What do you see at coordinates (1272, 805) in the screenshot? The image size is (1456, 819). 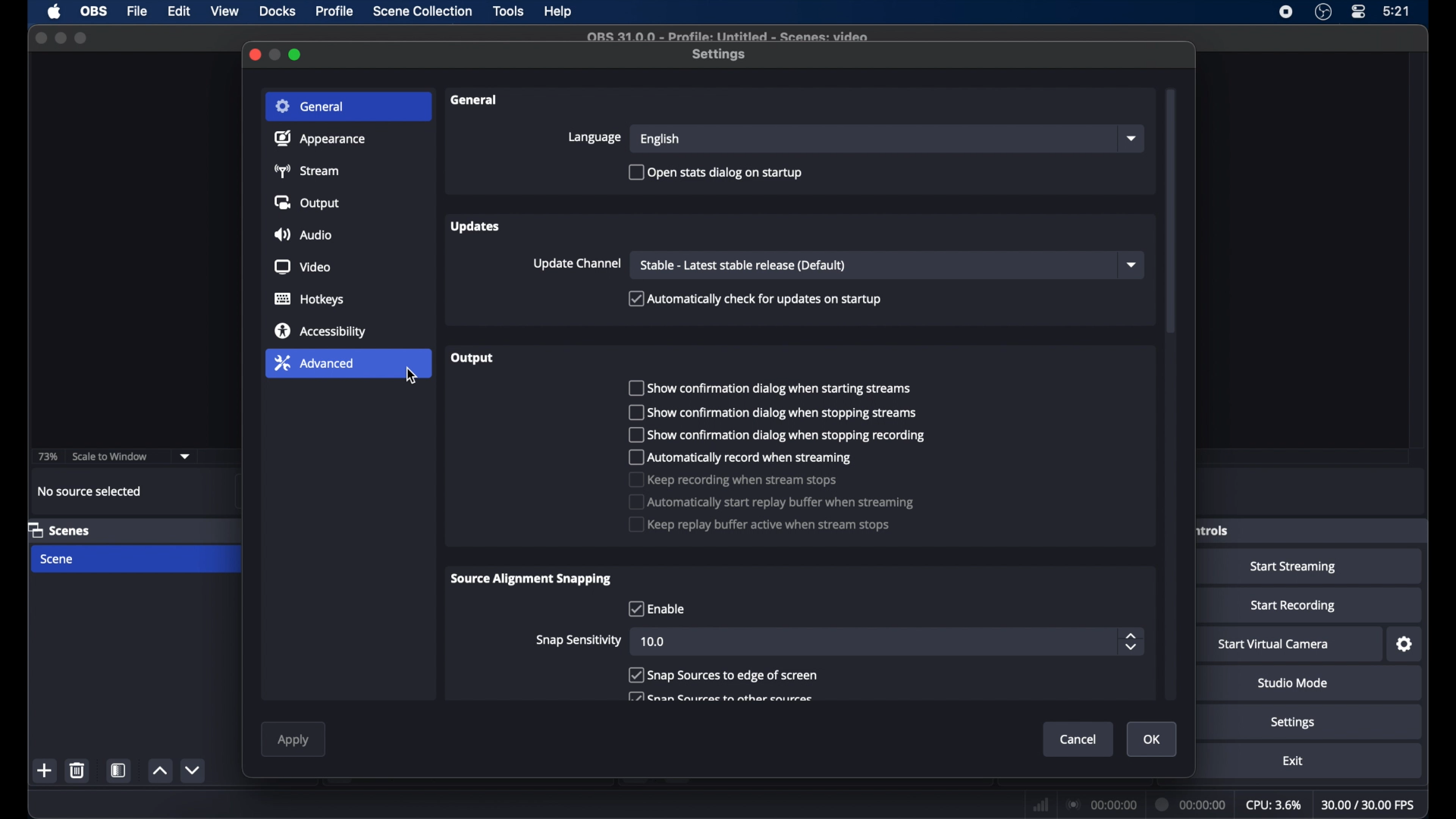 I see `cpu` at bounding box center [1272, 805].